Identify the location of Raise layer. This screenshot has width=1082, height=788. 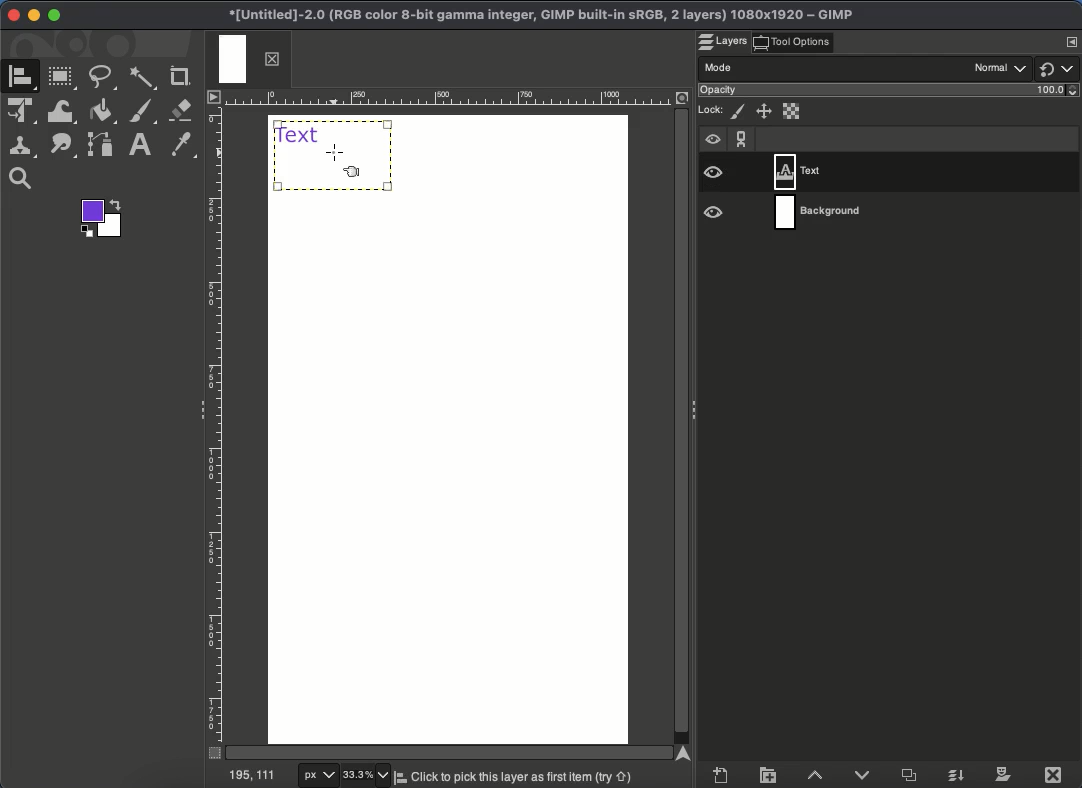
(818, 776).